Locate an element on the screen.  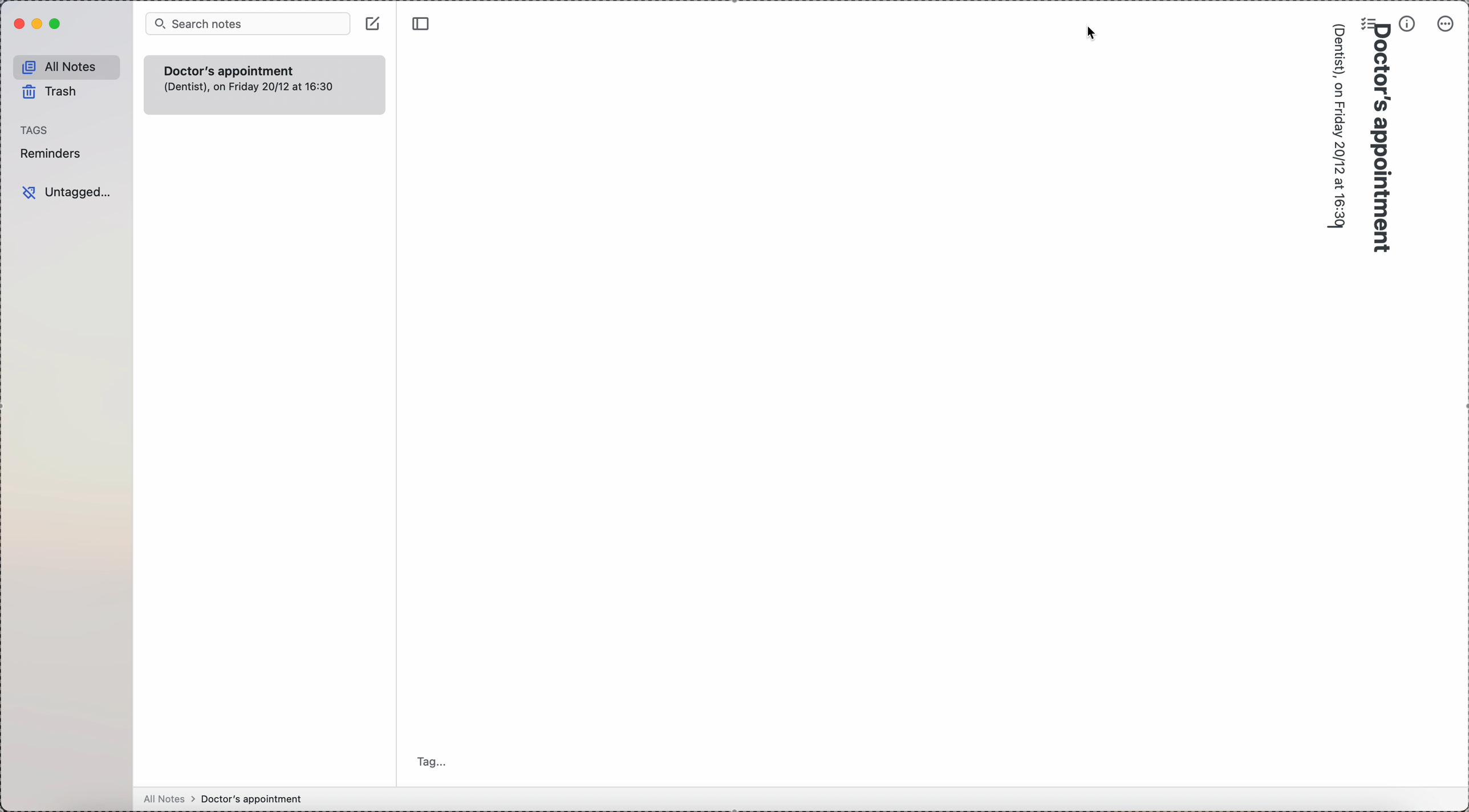
vertical orientation note is located at coordinates (1358, 149).